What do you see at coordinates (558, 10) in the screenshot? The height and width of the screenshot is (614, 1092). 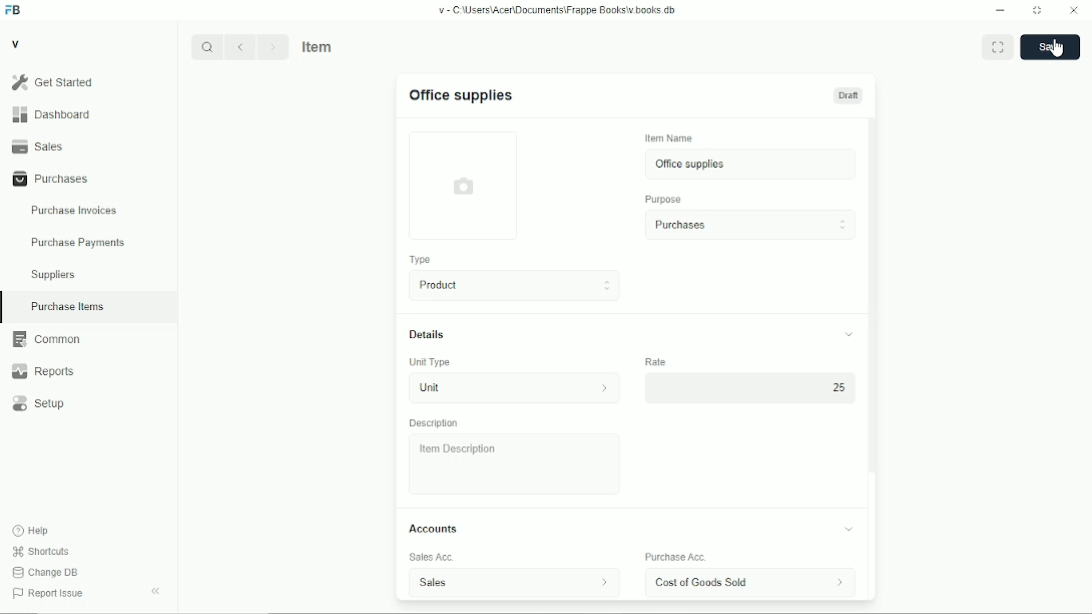 I see `v-C:\Users\Acer\Documents\Frappe books\v.books.db` at bounding box center [558, 10].